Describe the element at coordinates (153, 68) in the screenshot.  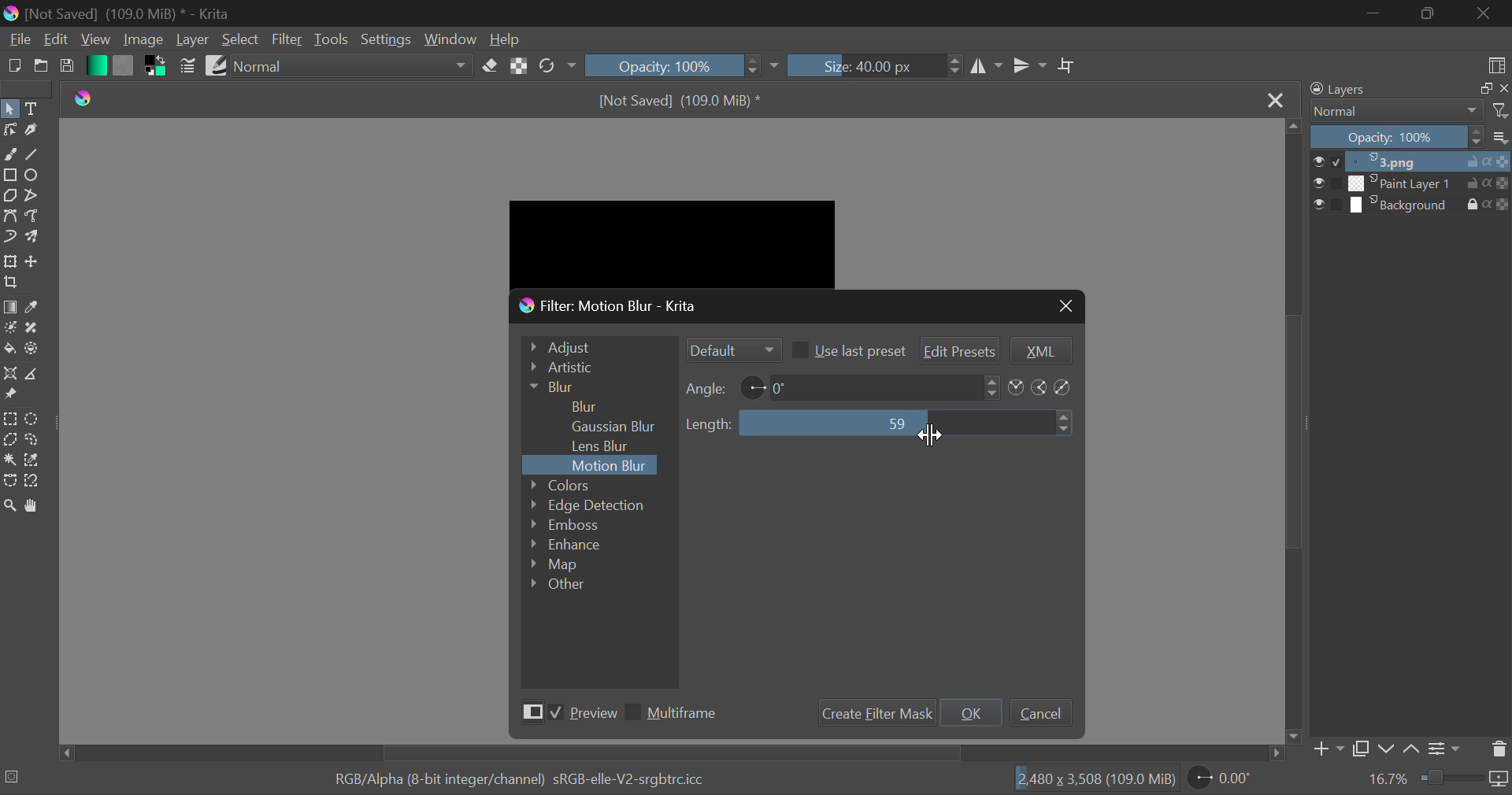
I see `Colors in Use` at that location.